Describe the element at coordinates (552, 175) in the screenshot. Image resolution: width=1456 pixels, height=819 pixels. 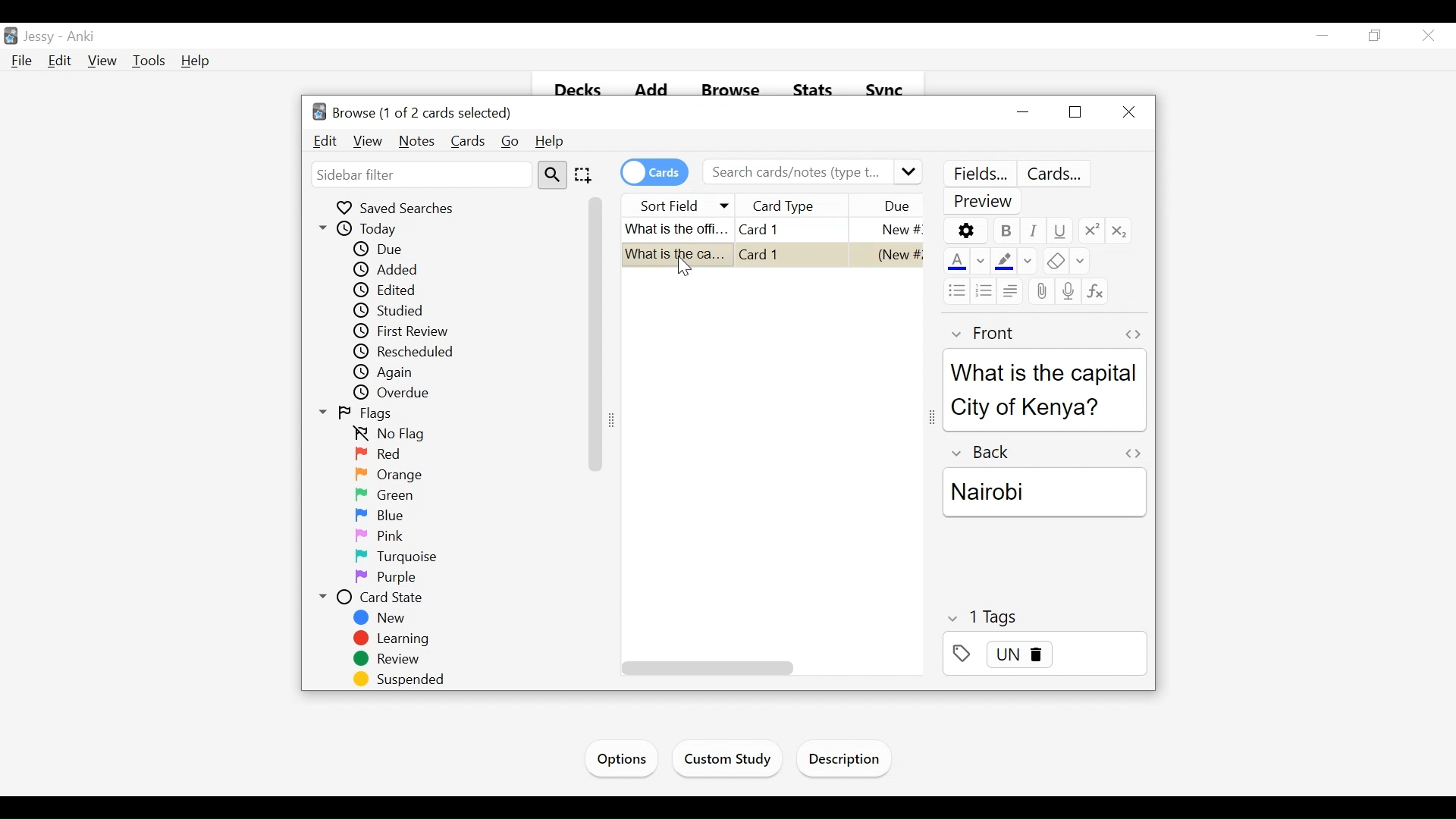
I see `Search Tool` at that location.